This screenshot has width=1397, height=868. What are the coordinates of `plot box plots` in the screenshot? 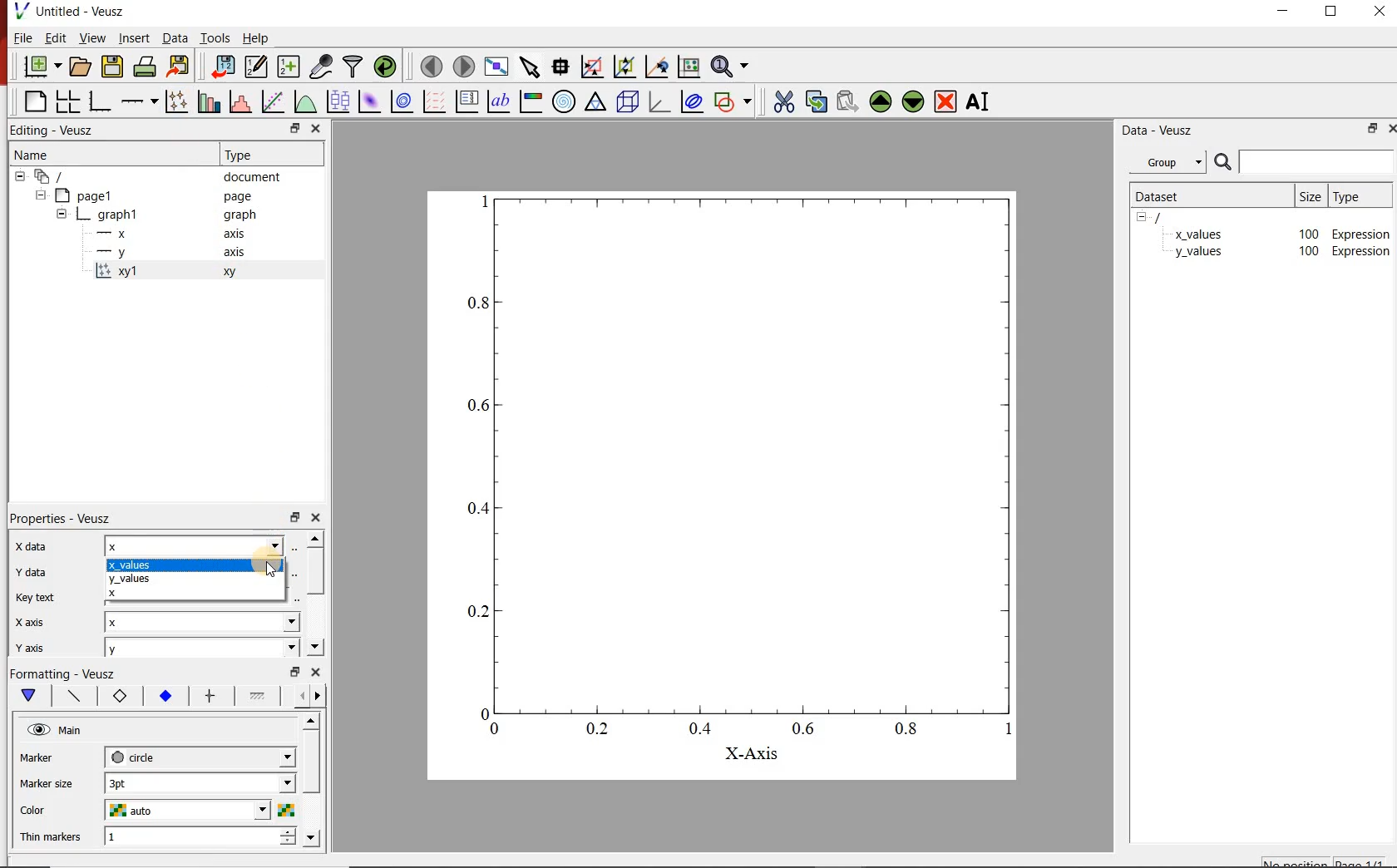 It's located at (336, 101).